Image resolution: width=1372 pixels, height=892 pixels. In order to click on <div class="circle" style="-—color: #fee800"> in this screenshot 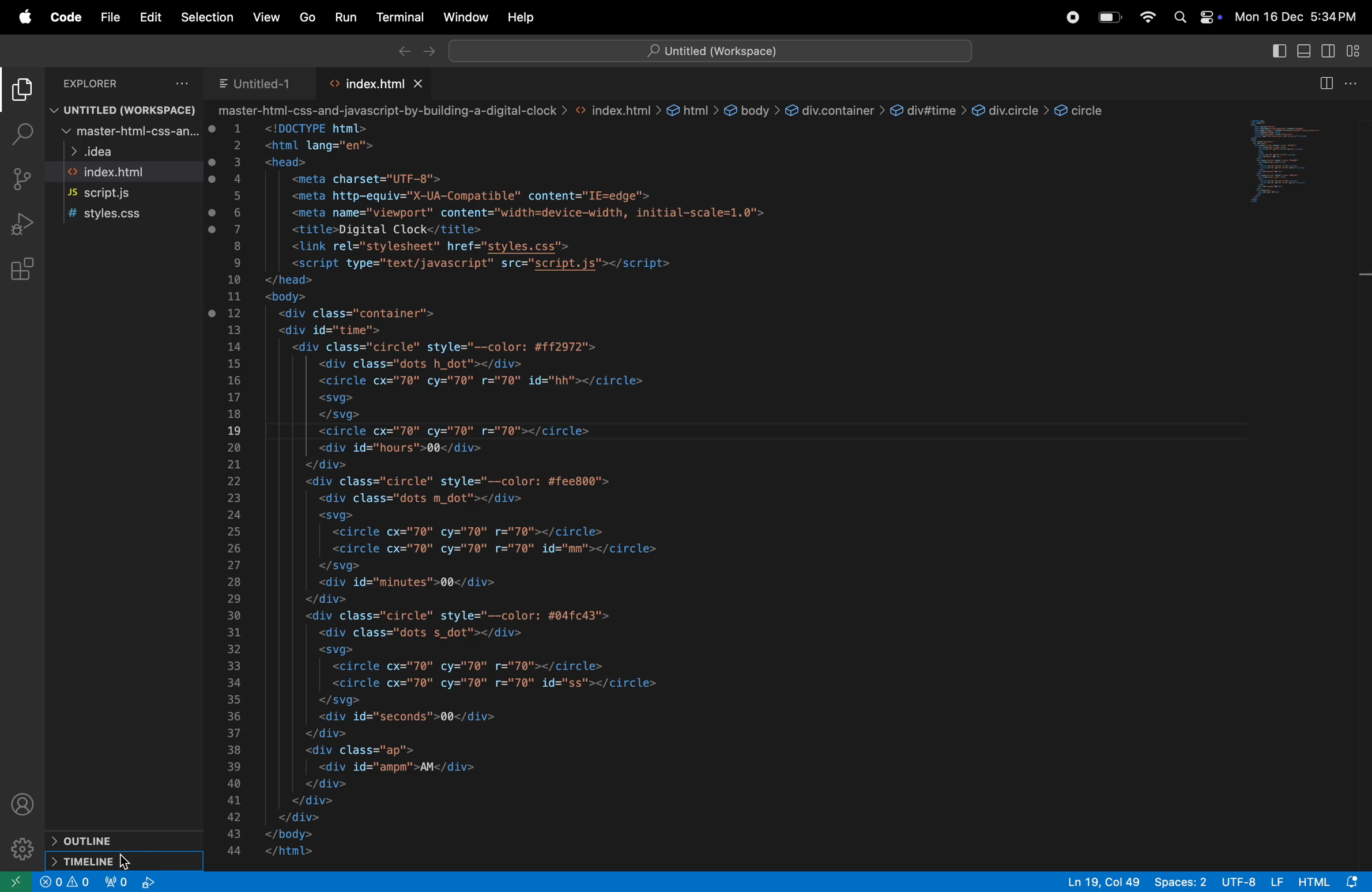, I will do `click(463, 482)`.